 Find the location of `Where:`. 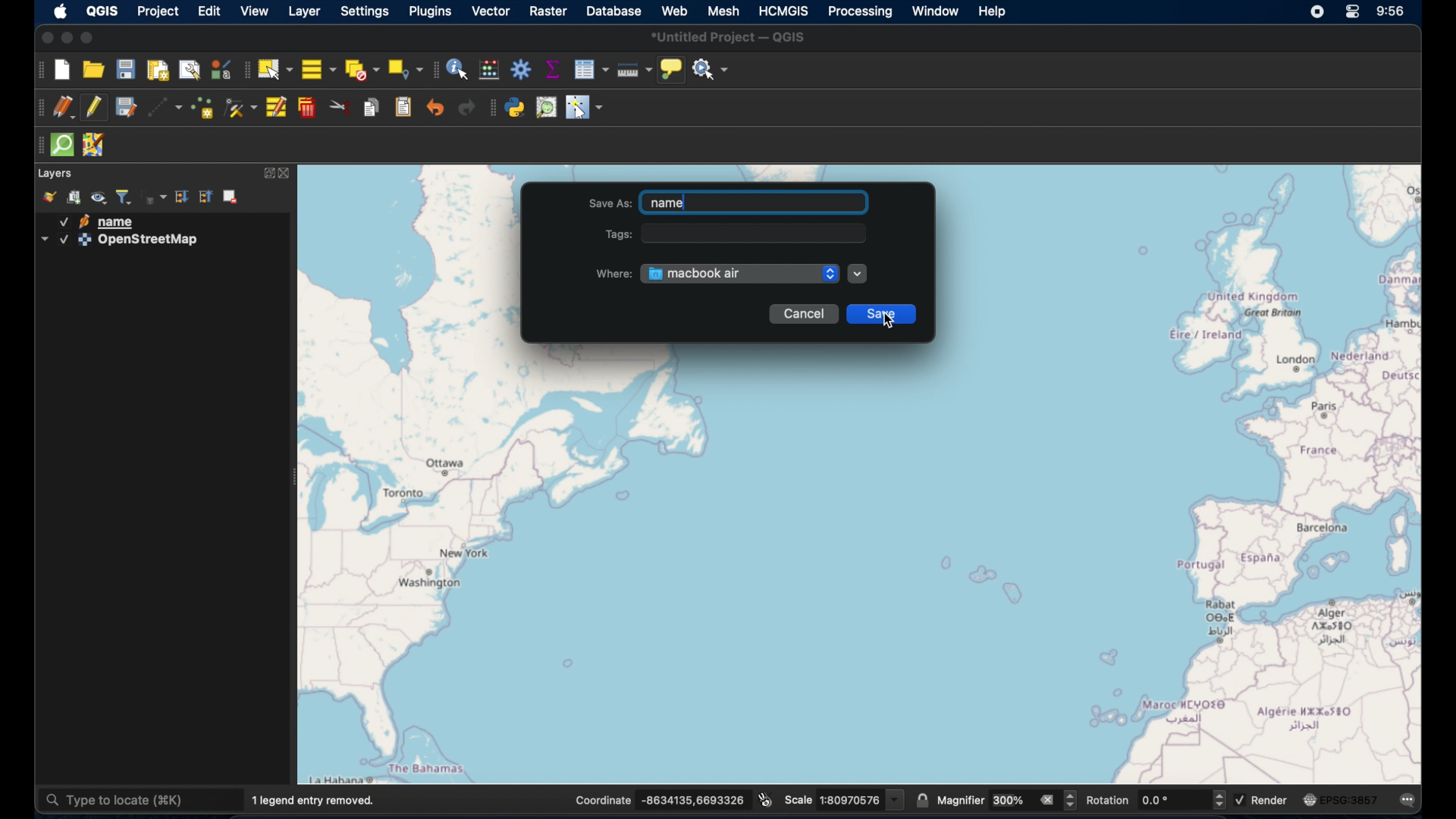

Where: is located at coordinates (614, 271).